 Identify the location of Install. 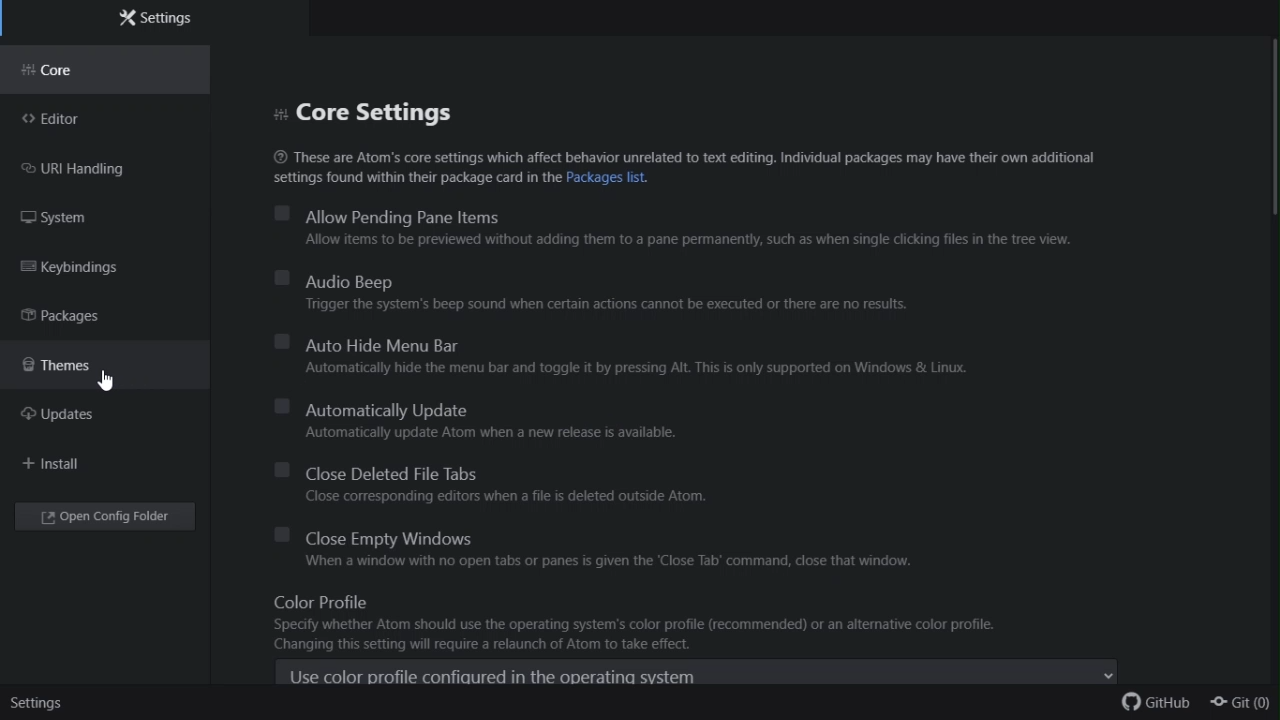
(56, 464).